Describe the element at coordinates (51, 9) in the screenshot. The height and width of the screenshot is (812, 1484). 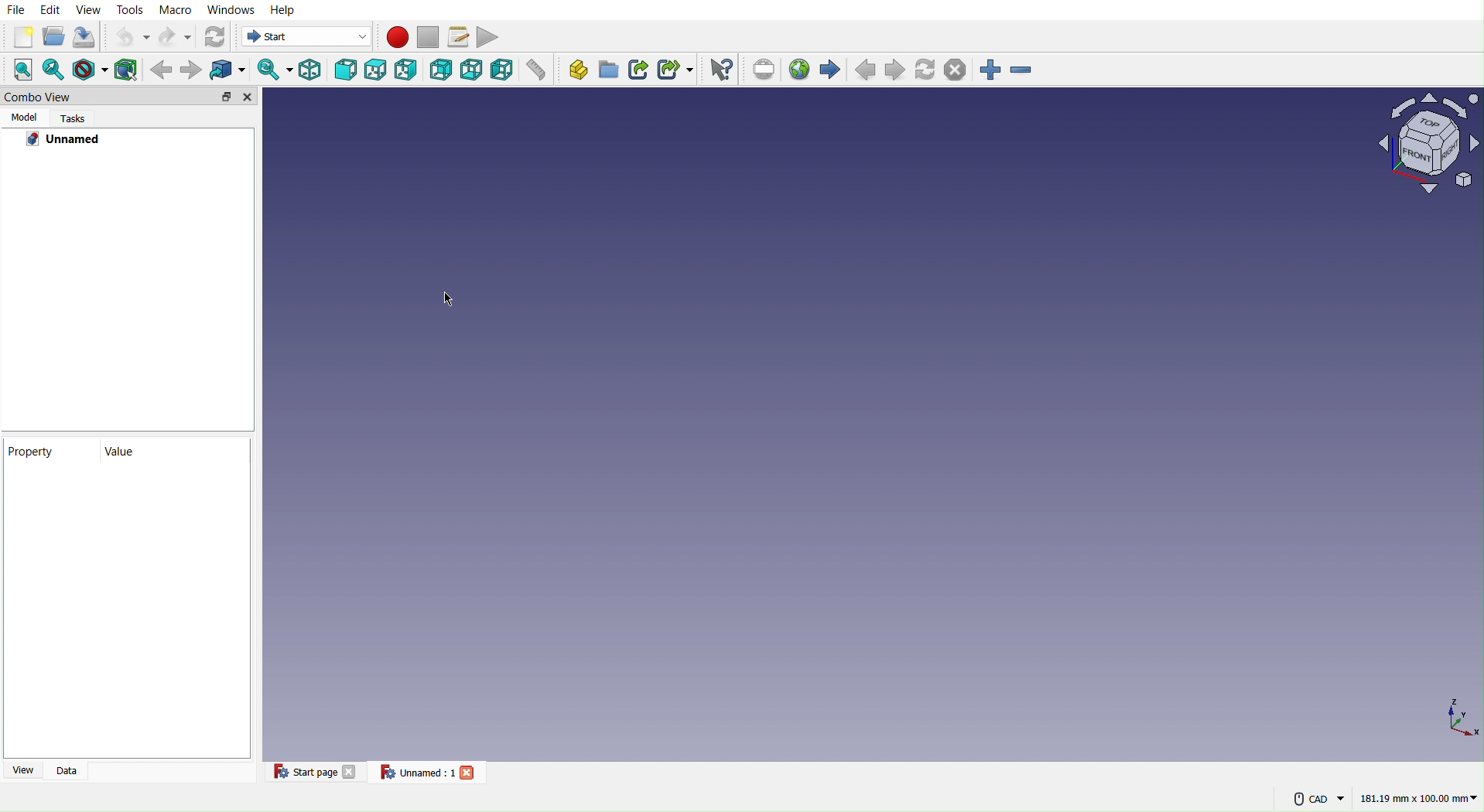
I see `Edit` at that location.